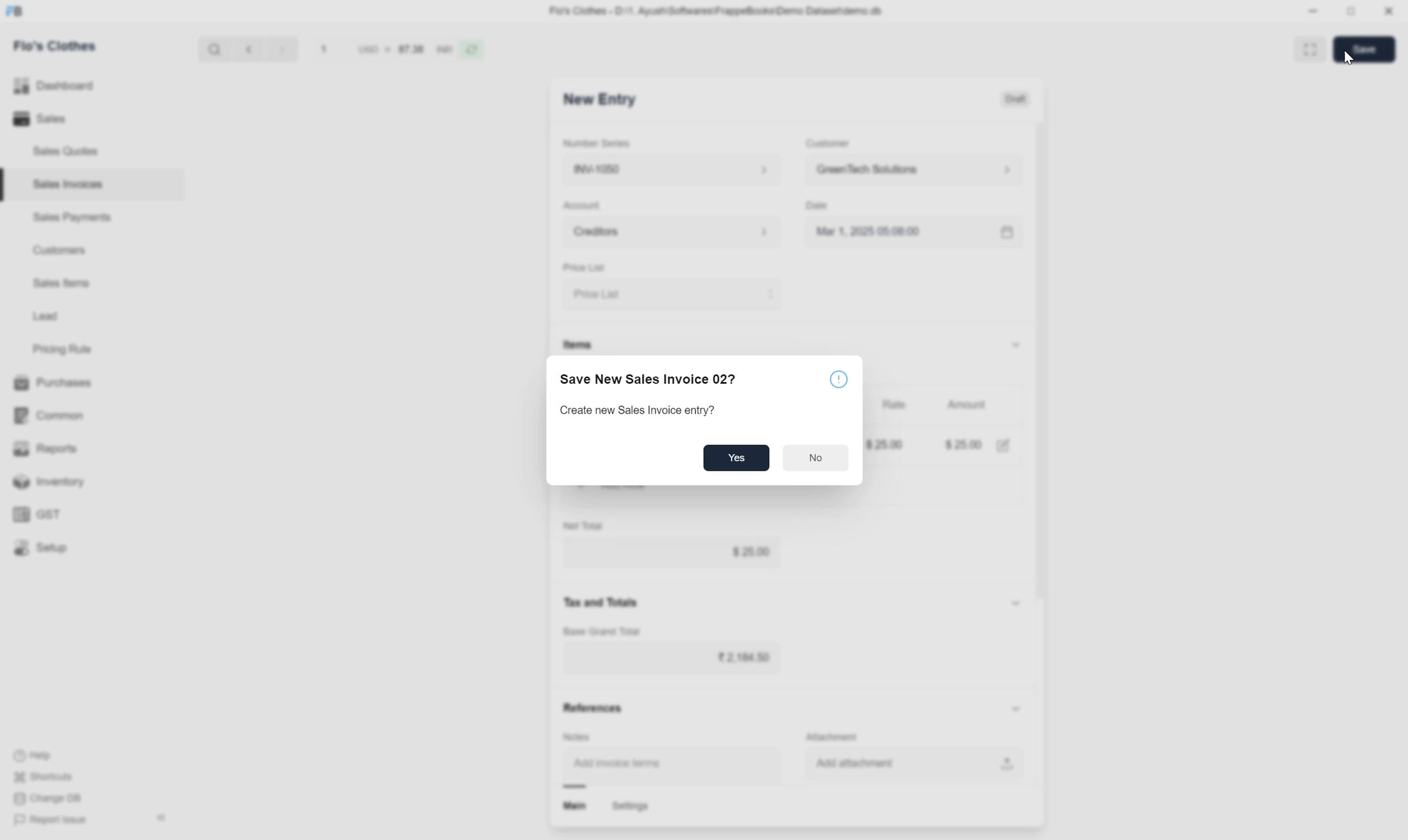  I want to click on select customer, so click(911, 172).